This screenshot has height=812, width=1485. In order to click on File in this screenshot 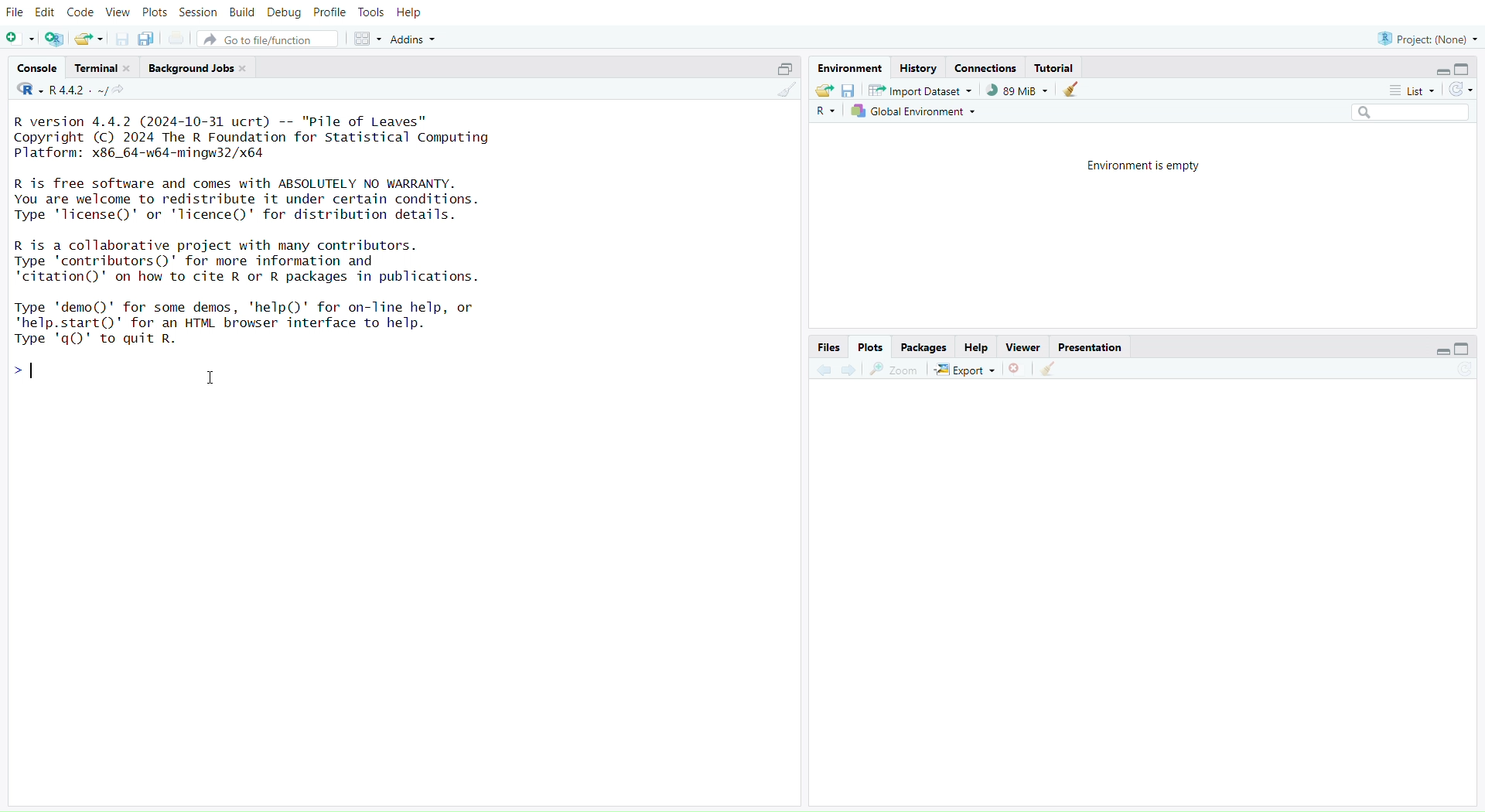, I will do `click(14, 14)`.